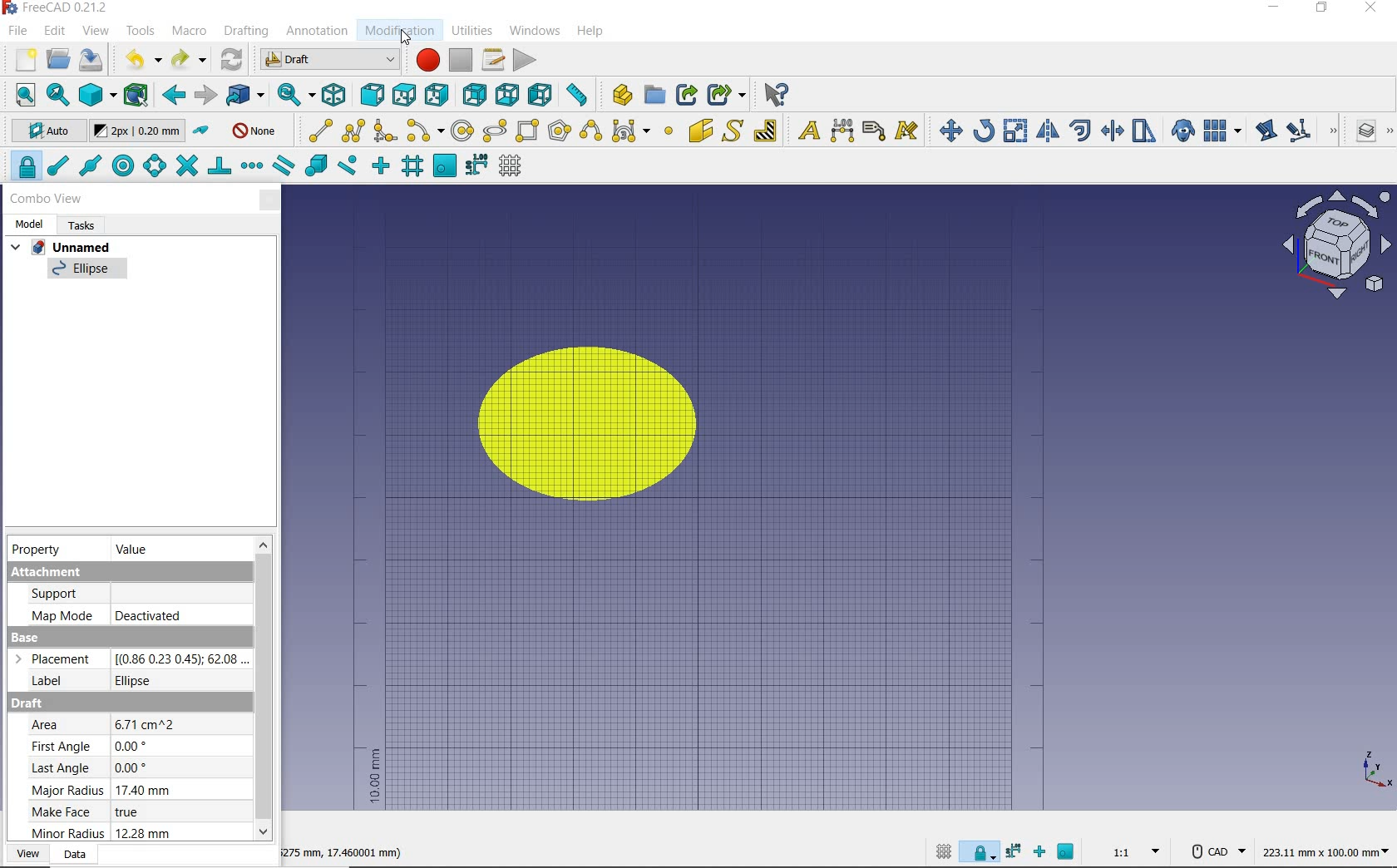 The image size is (1397, 868). What do you see at coordinates (1222, 130) in the screenshot?
I see `array tools` at bounding box center [1222, 130].